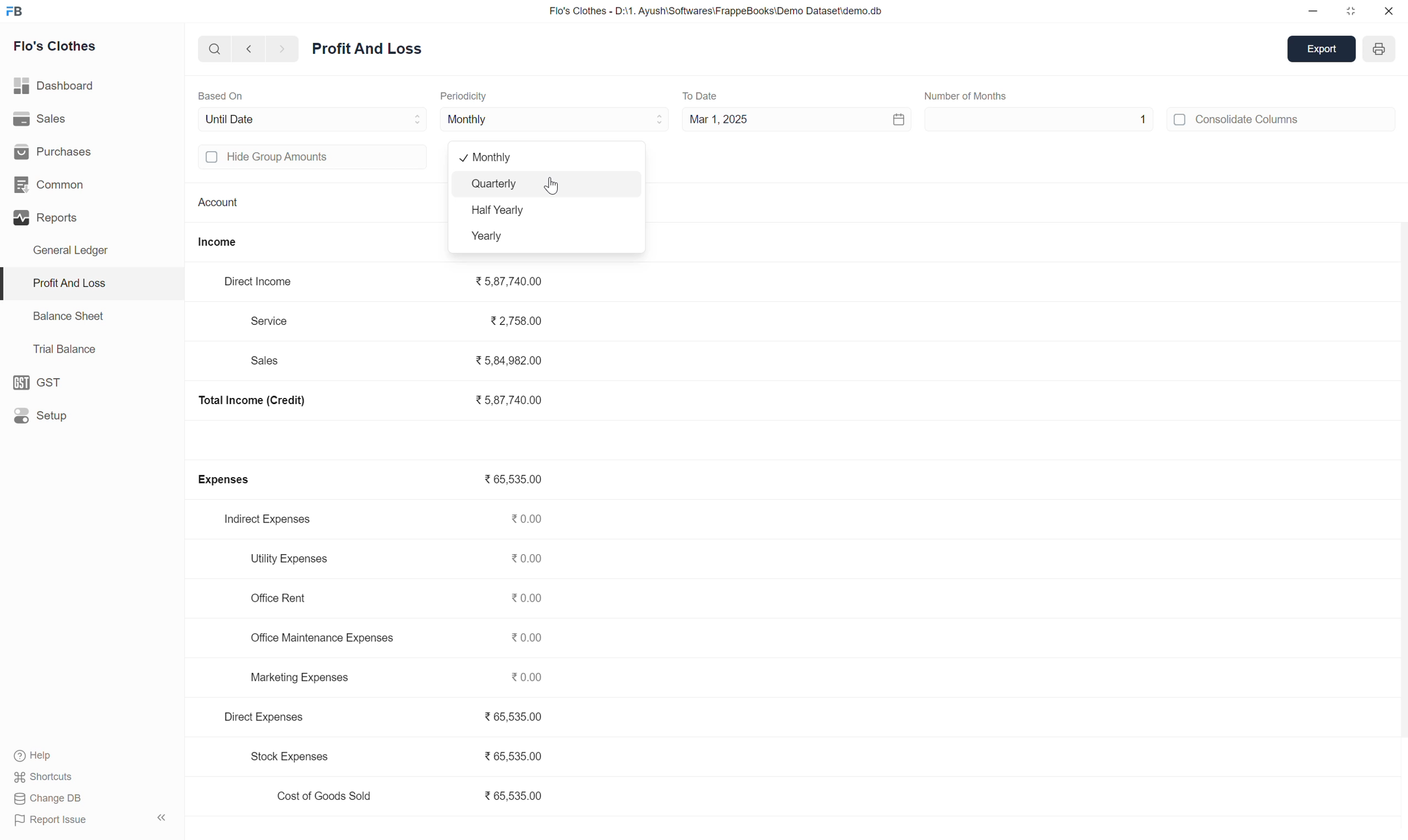 The image size is (1408, 840). I want to click on Direct Expenses, so click(272, 717).